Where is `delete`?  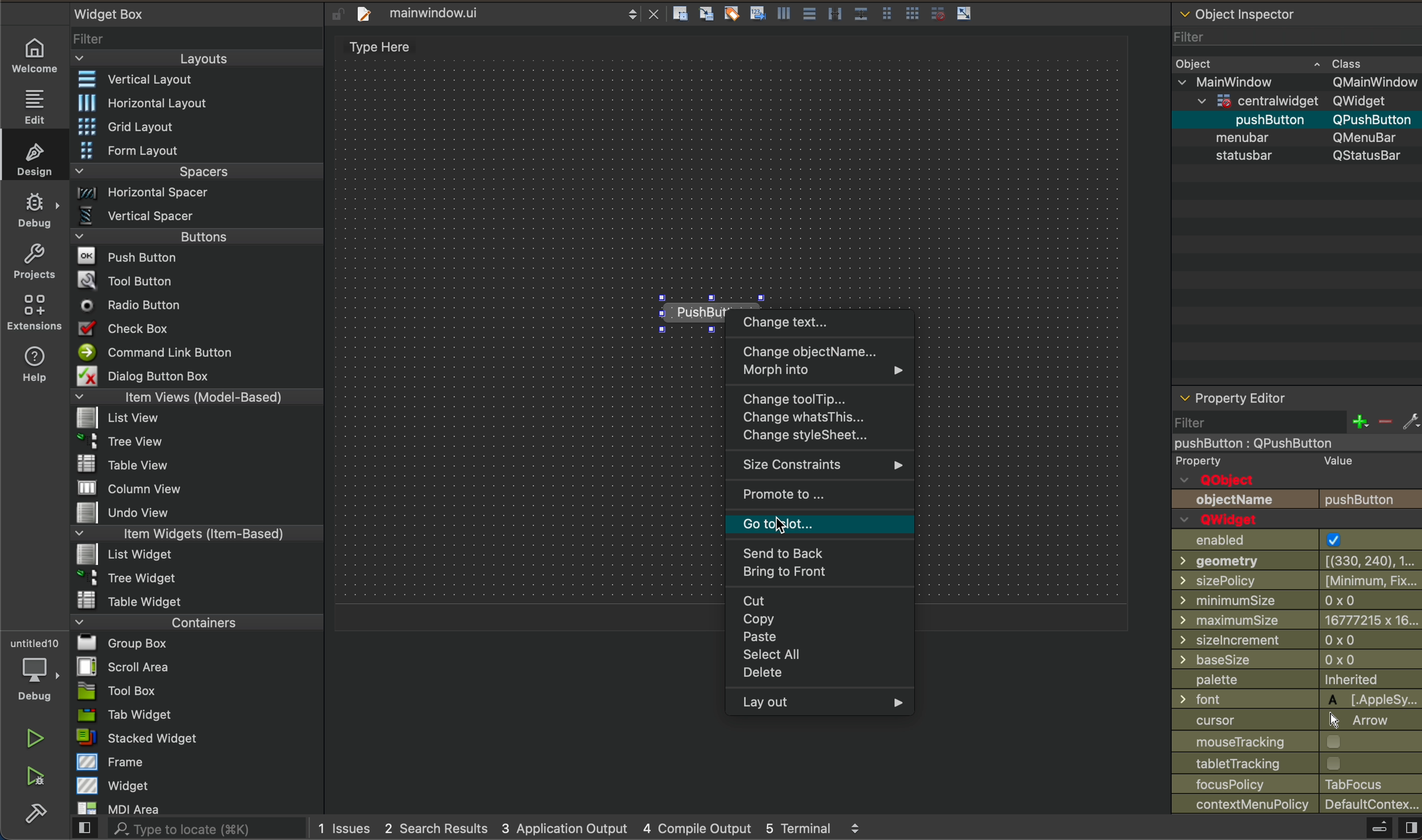
delete is located at coordinates (823, 674).